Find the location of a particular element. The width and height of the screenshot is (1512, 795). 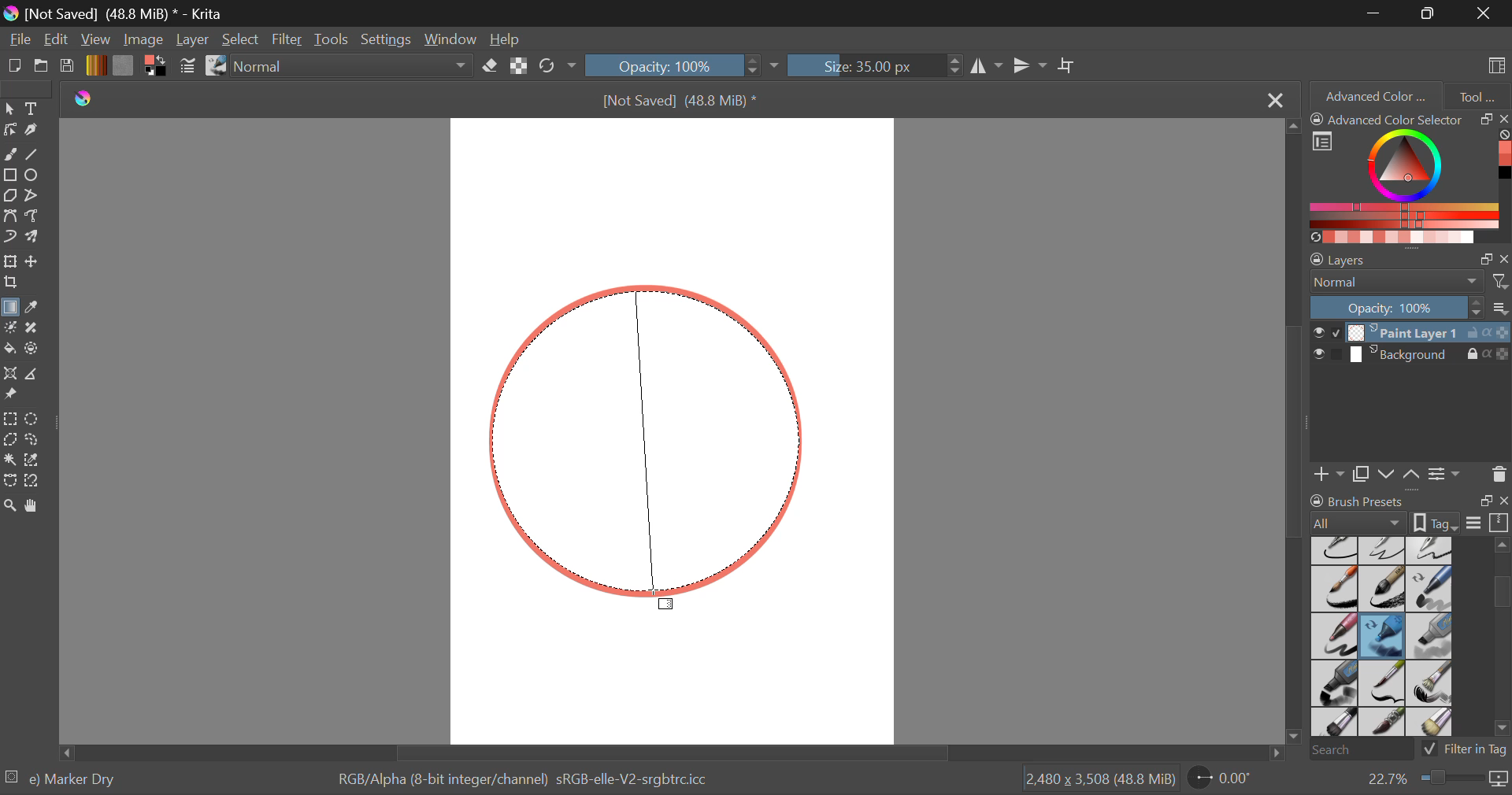

Paint Layer 1 is located at coordinates (1411, 331).